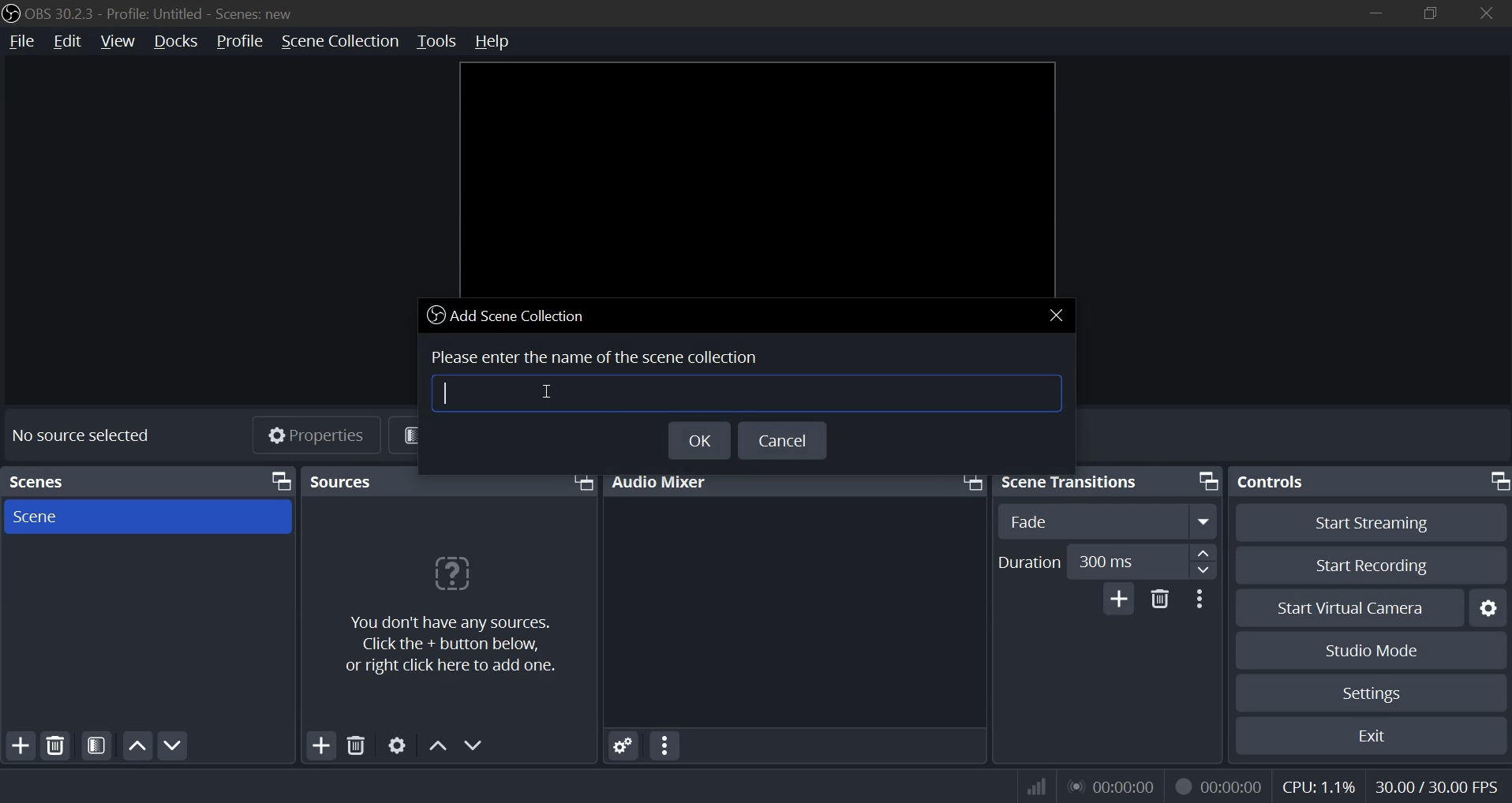  Describe the element at coordinates (1277, 483) in the screenshot. I see `controls` at that location.